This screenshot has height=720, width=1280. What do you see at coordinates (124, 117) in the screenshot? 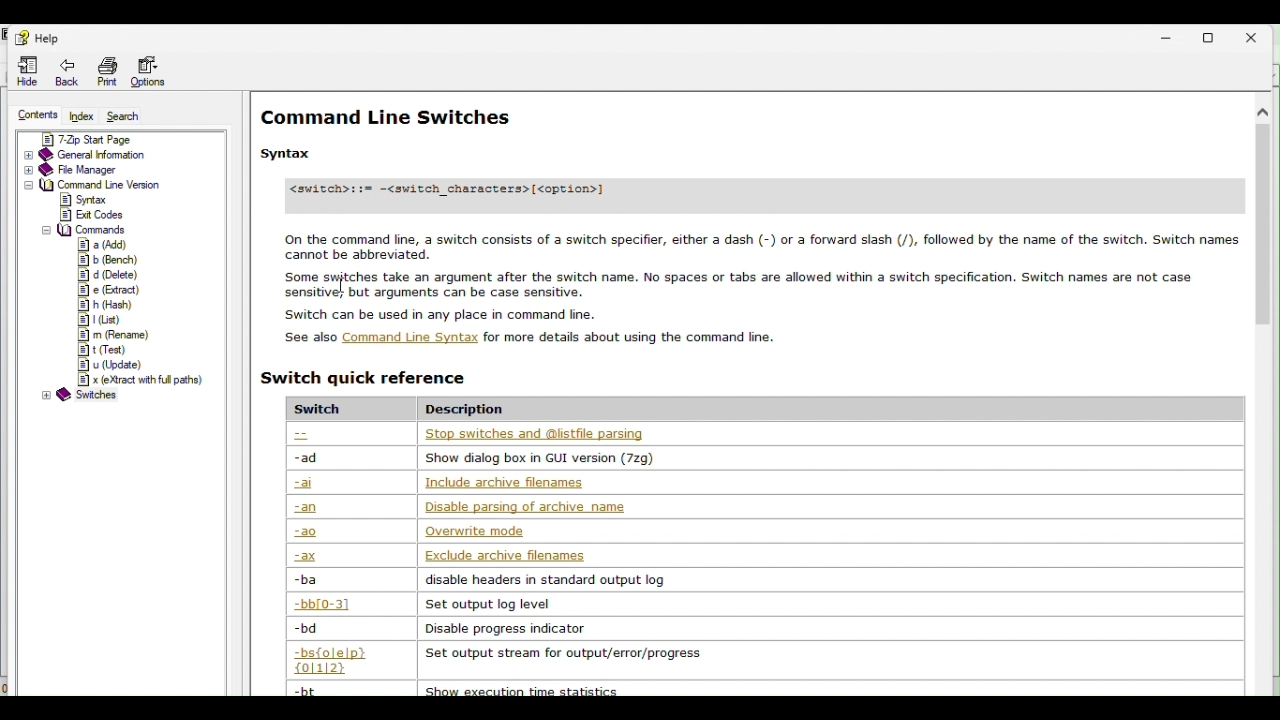
I see `Search` at bounding box center [124, 117].